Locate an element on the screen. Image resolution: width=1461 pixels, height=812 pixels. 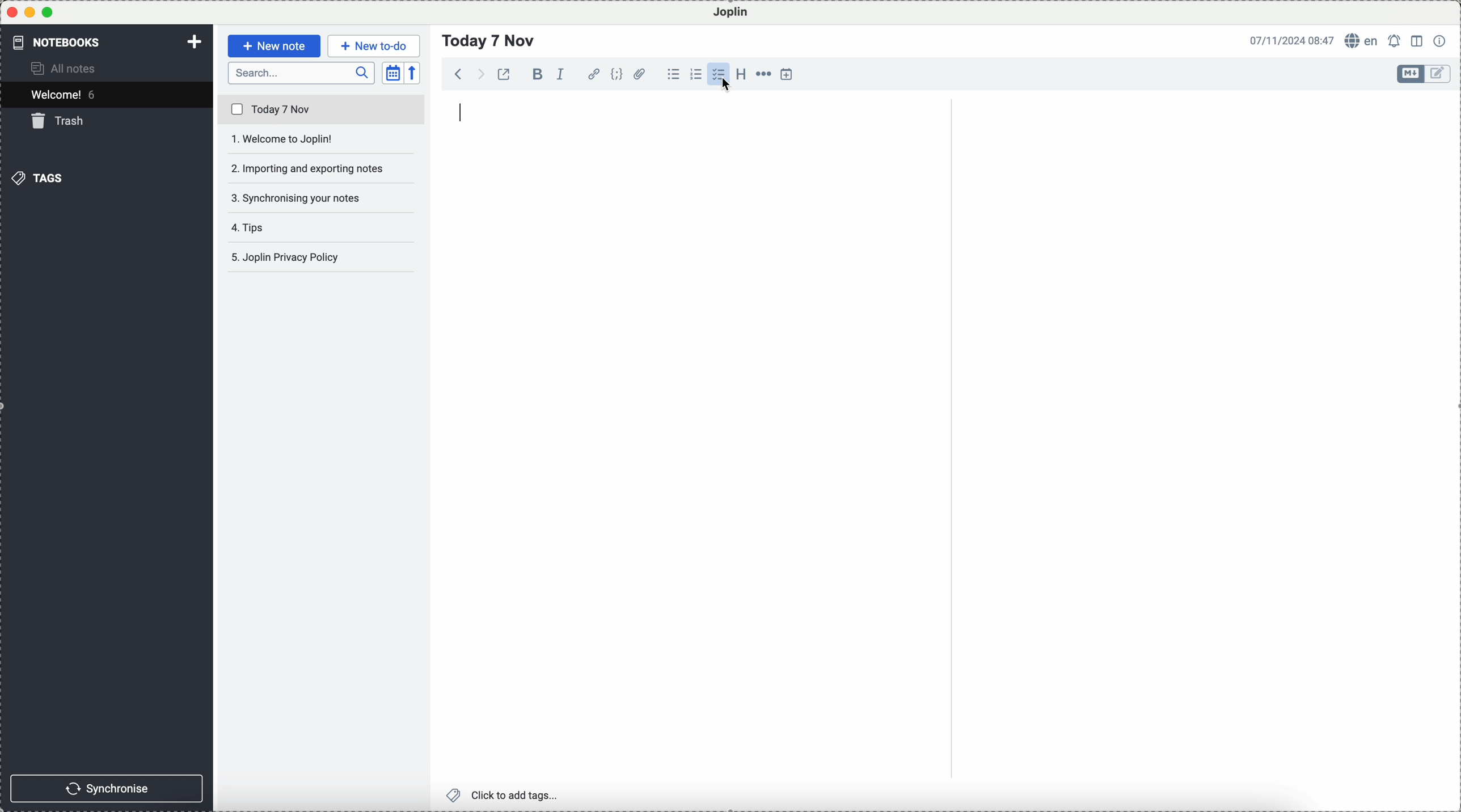
vertical scroll bar is located at coordinates (1451, 192).